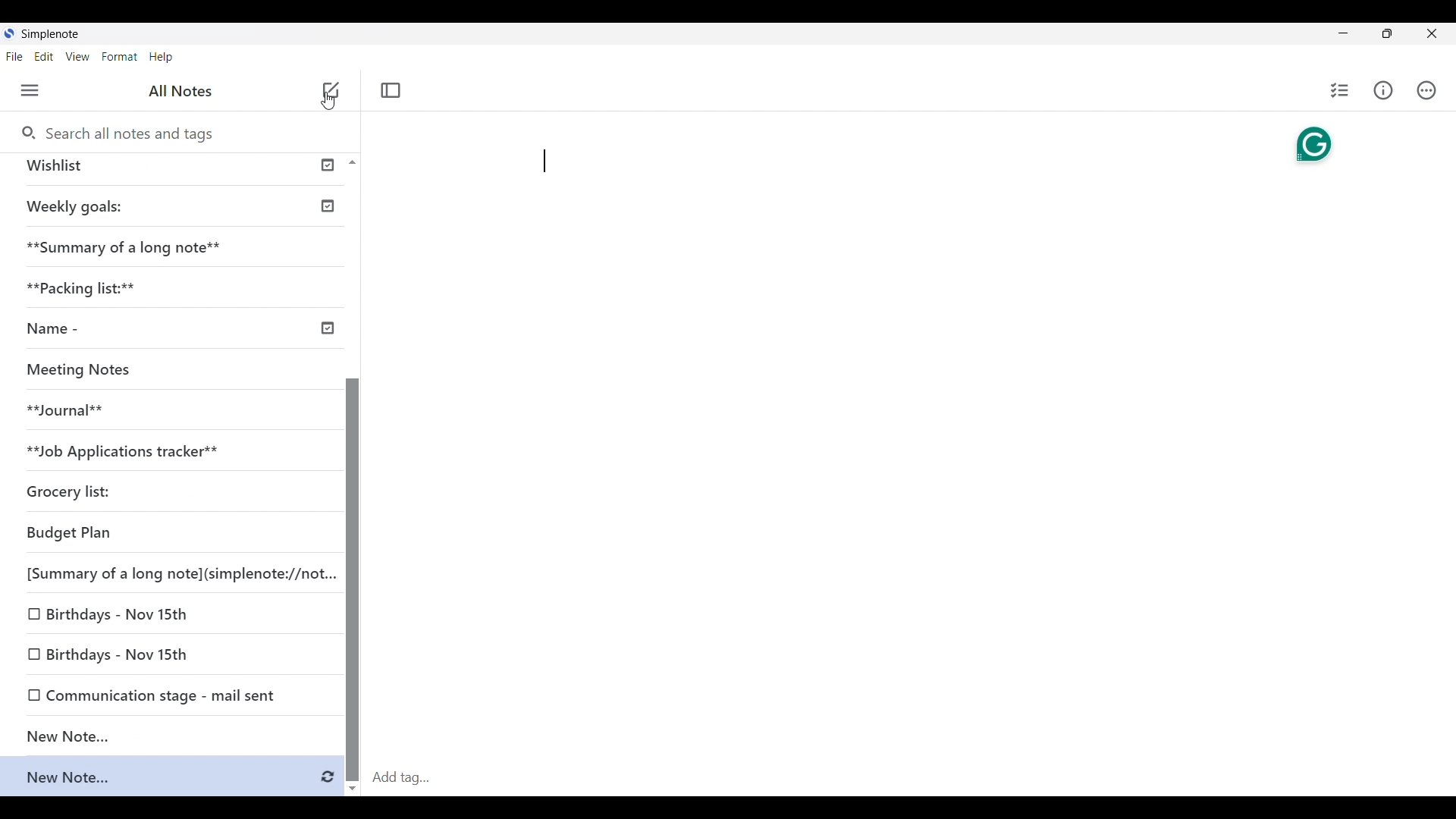 This screenshot has height=819, width=1456. Describe the element at coordinates (1426, 89) in the screenshot. I see `Actions` at that location.